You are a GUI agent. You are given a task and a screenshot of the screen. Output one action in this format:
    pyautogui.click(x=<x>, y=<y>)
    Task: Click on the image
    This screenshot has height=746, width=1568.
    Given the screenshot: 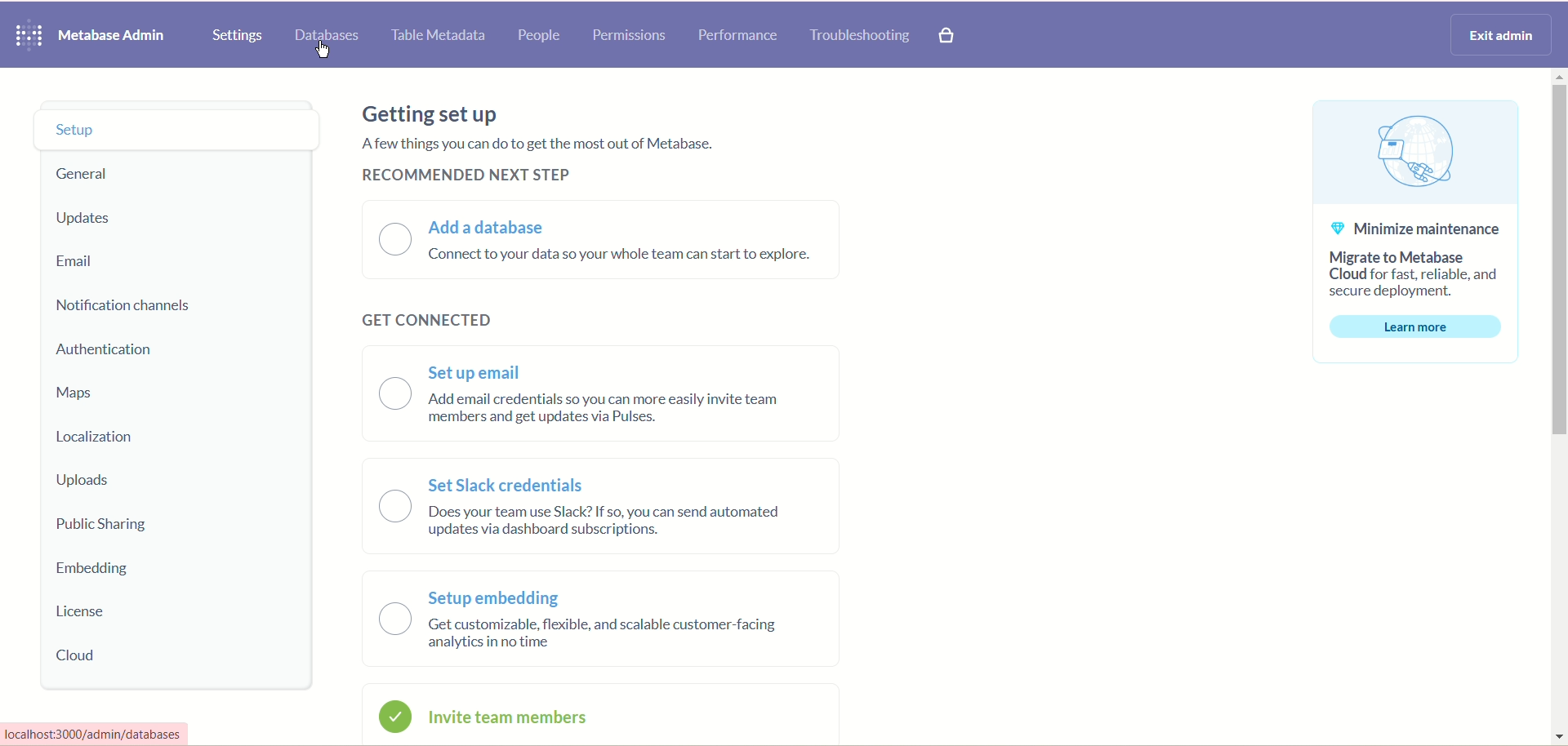 What is the action you would take?
    pyautogui.click(x=1414, y=153)
    